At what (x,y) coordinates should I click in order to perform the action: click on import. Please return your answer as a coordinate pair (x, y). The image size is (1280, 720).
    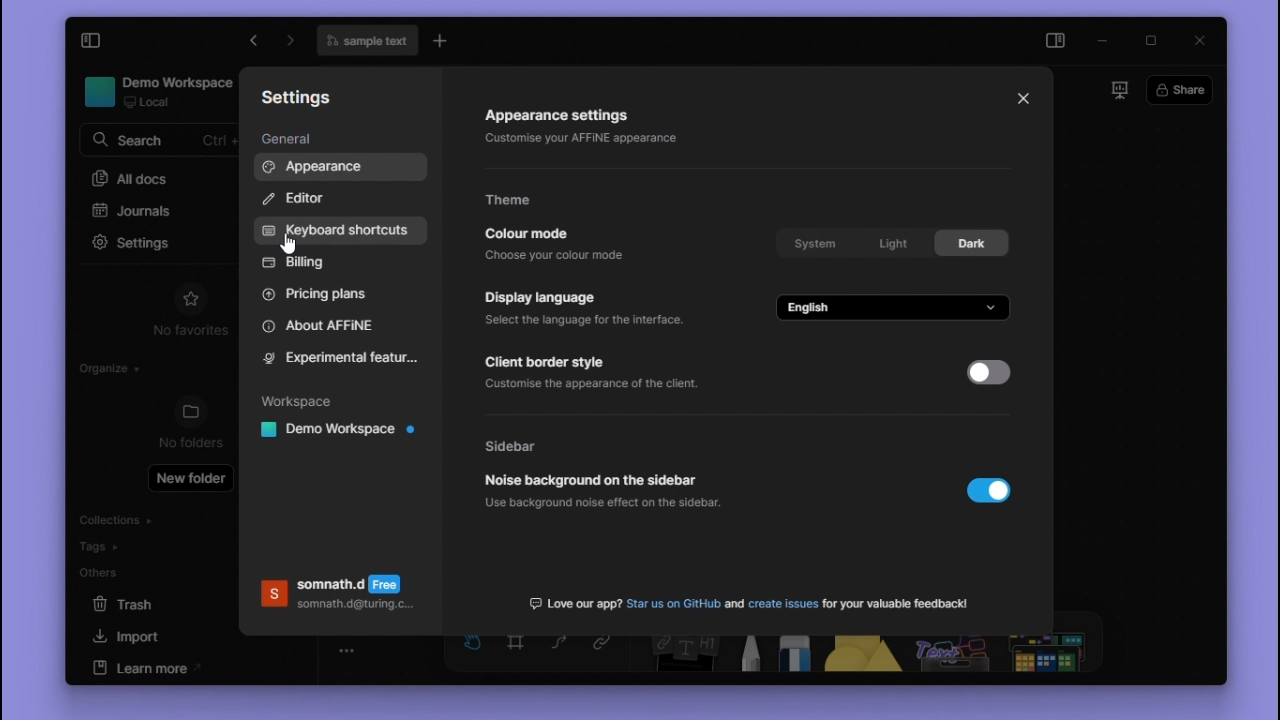
    Looking at the image, I should click on (154, 636).